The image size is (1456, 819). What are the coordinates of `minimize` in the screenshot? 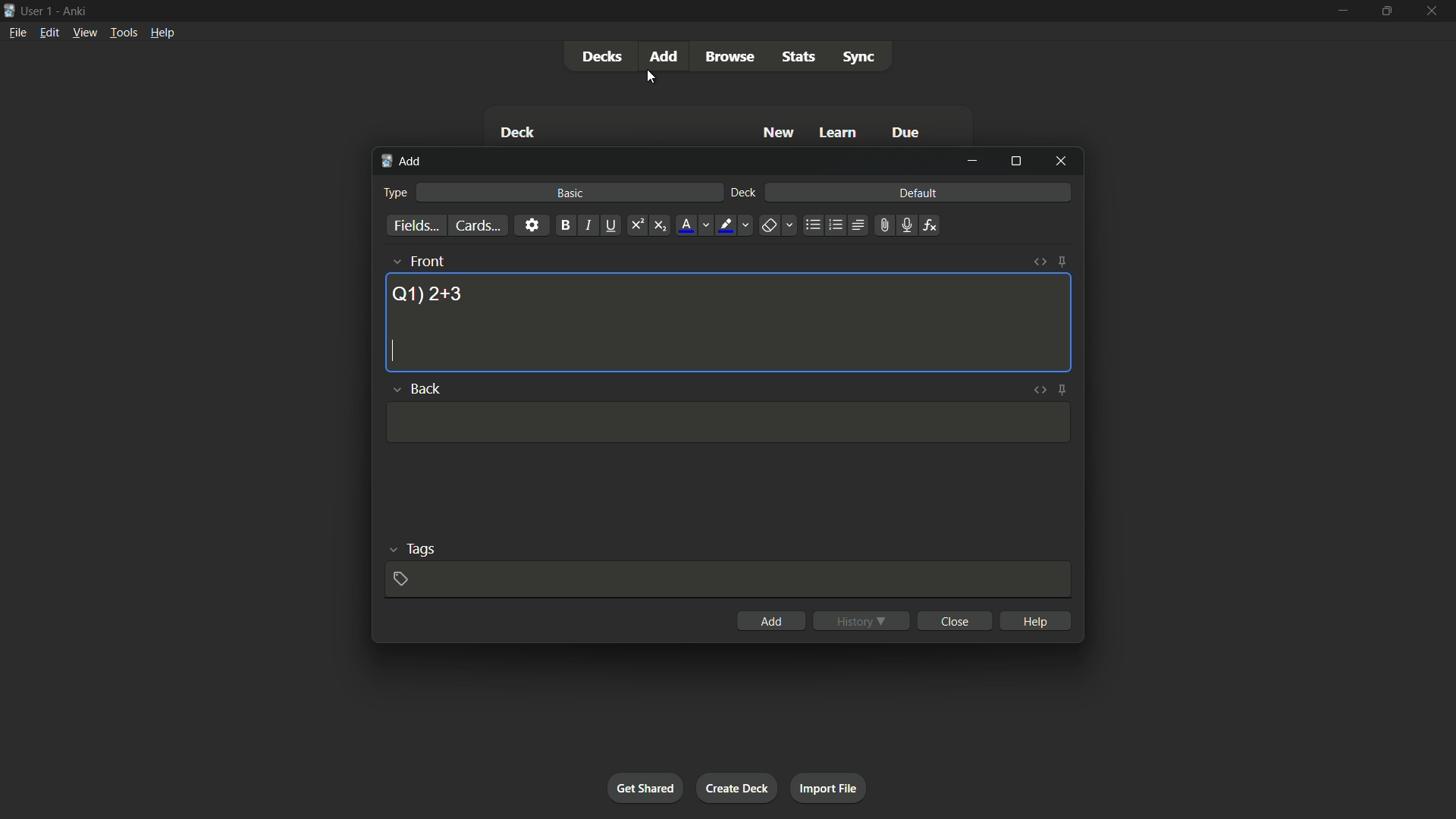 It's located at (972, 161).